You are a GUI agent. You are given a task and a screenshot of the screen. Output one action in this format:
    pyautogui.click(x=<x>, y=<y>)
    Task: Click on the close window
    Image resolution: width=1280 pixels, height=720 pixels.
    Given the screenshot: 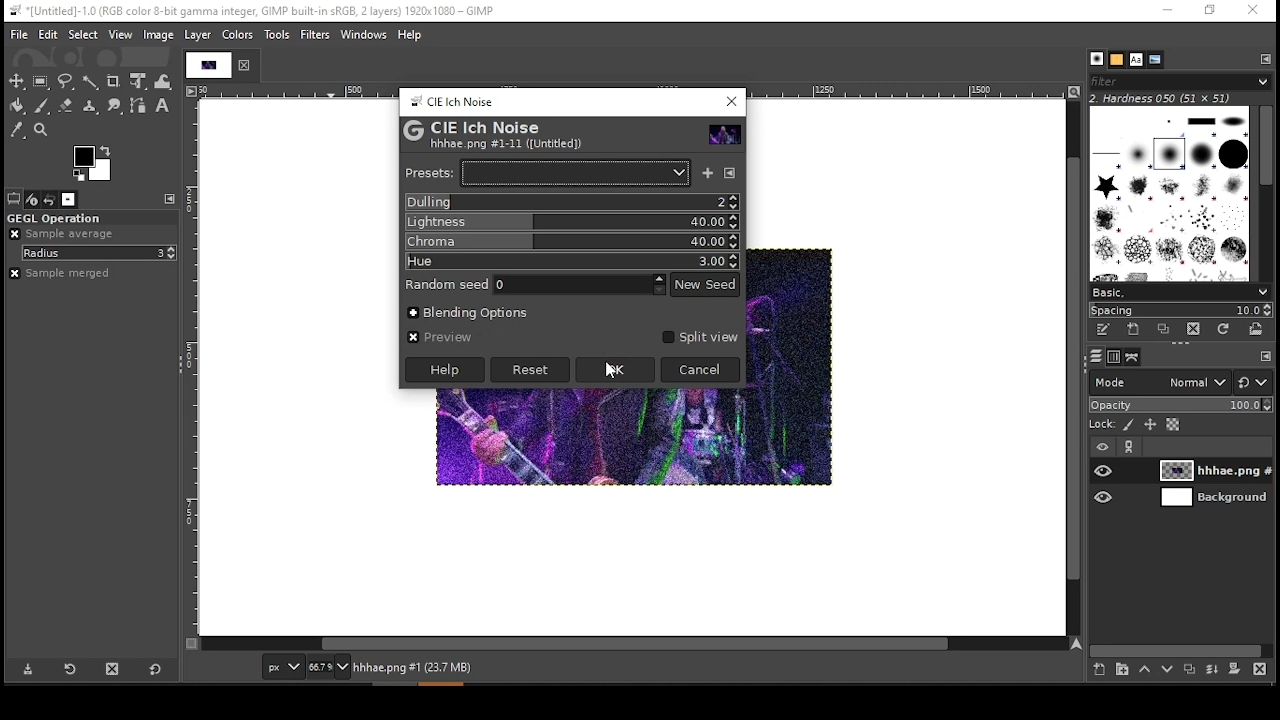 What is the action you would take?
    pyautogui.click(x=733, y=101)
    